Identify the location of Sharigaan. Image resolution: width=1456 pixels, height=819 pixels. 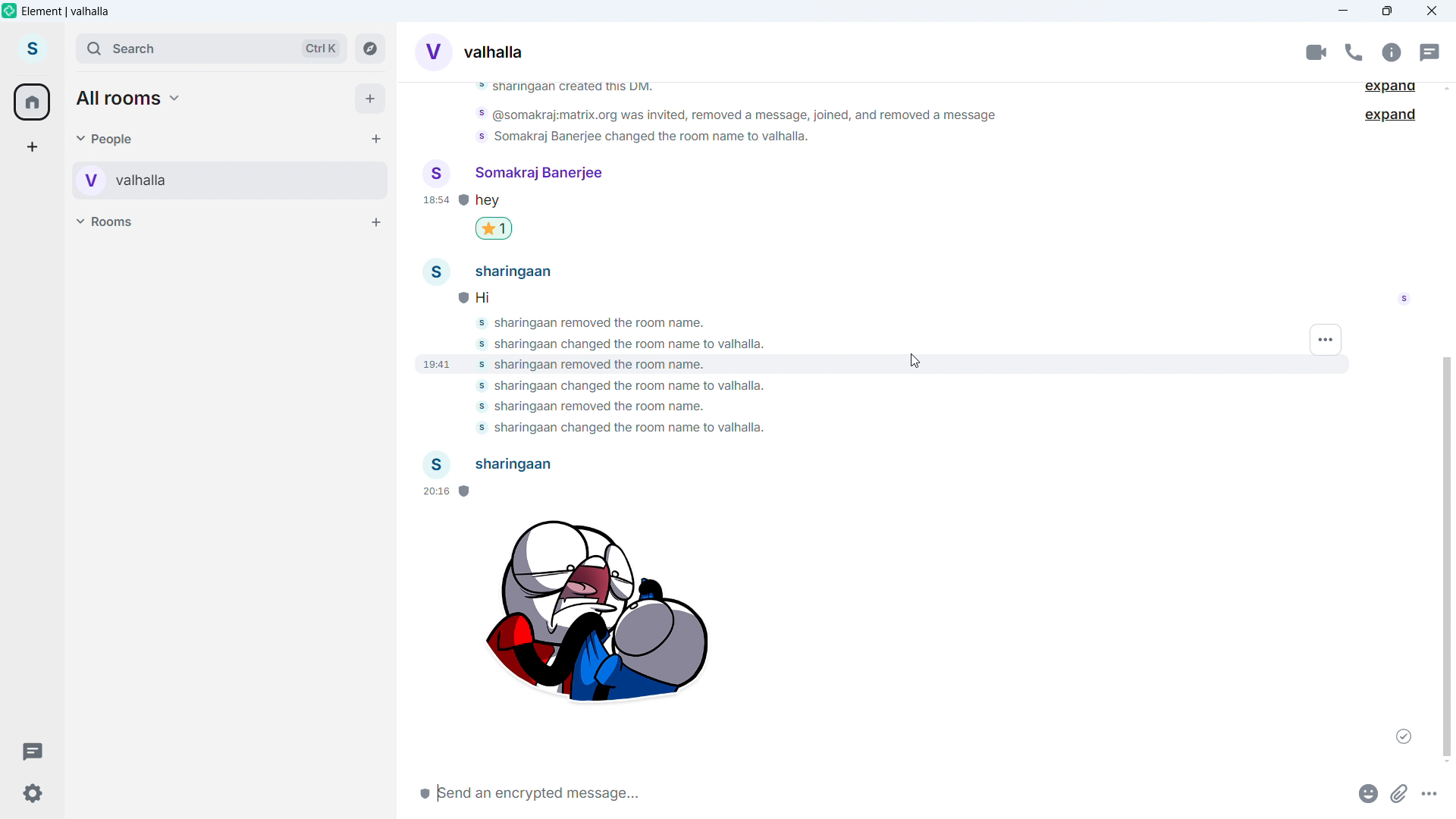
(491, 465).